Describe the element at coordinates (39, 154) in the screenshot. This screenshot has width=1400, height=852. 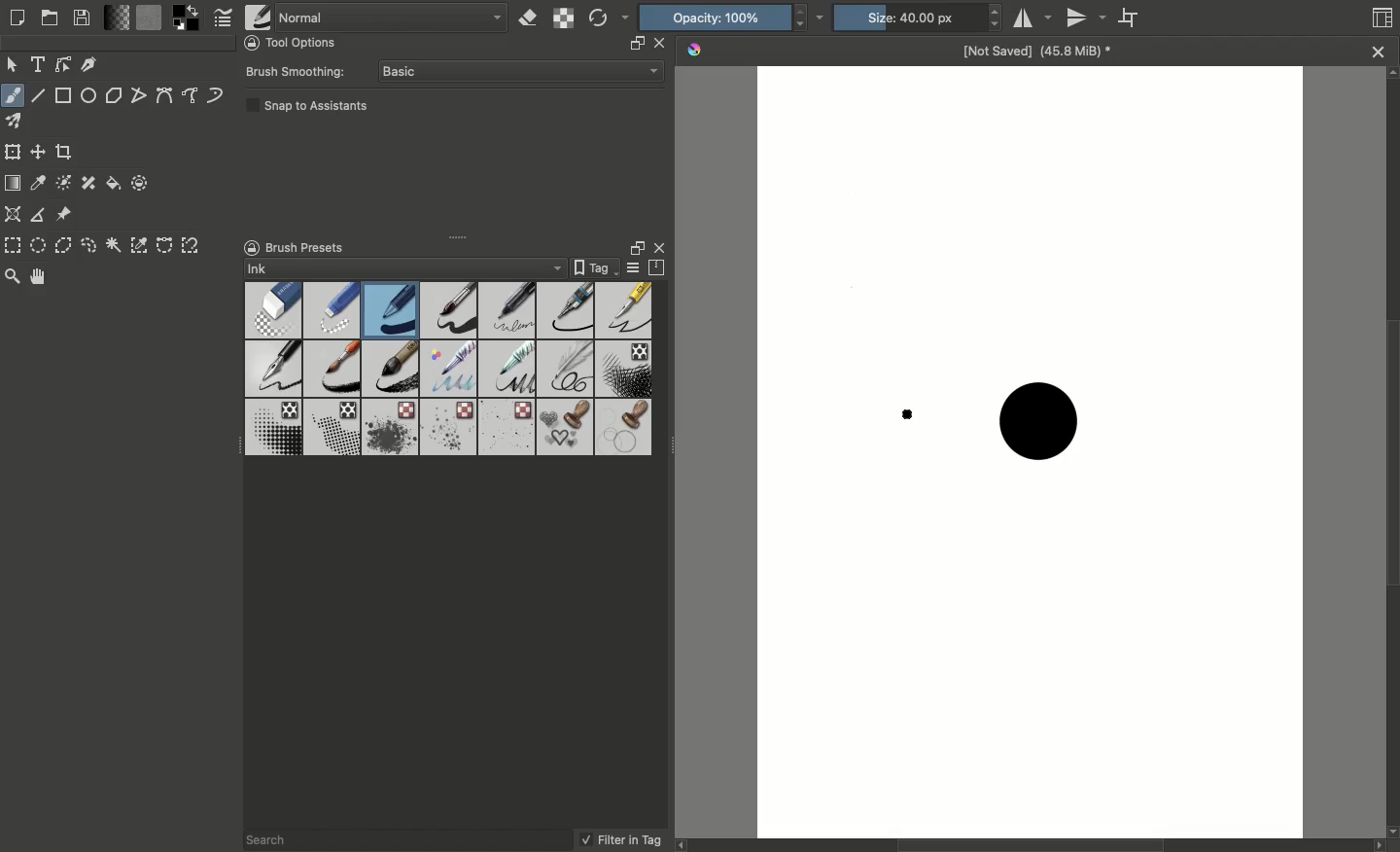
I see `Move a layer` at that location.